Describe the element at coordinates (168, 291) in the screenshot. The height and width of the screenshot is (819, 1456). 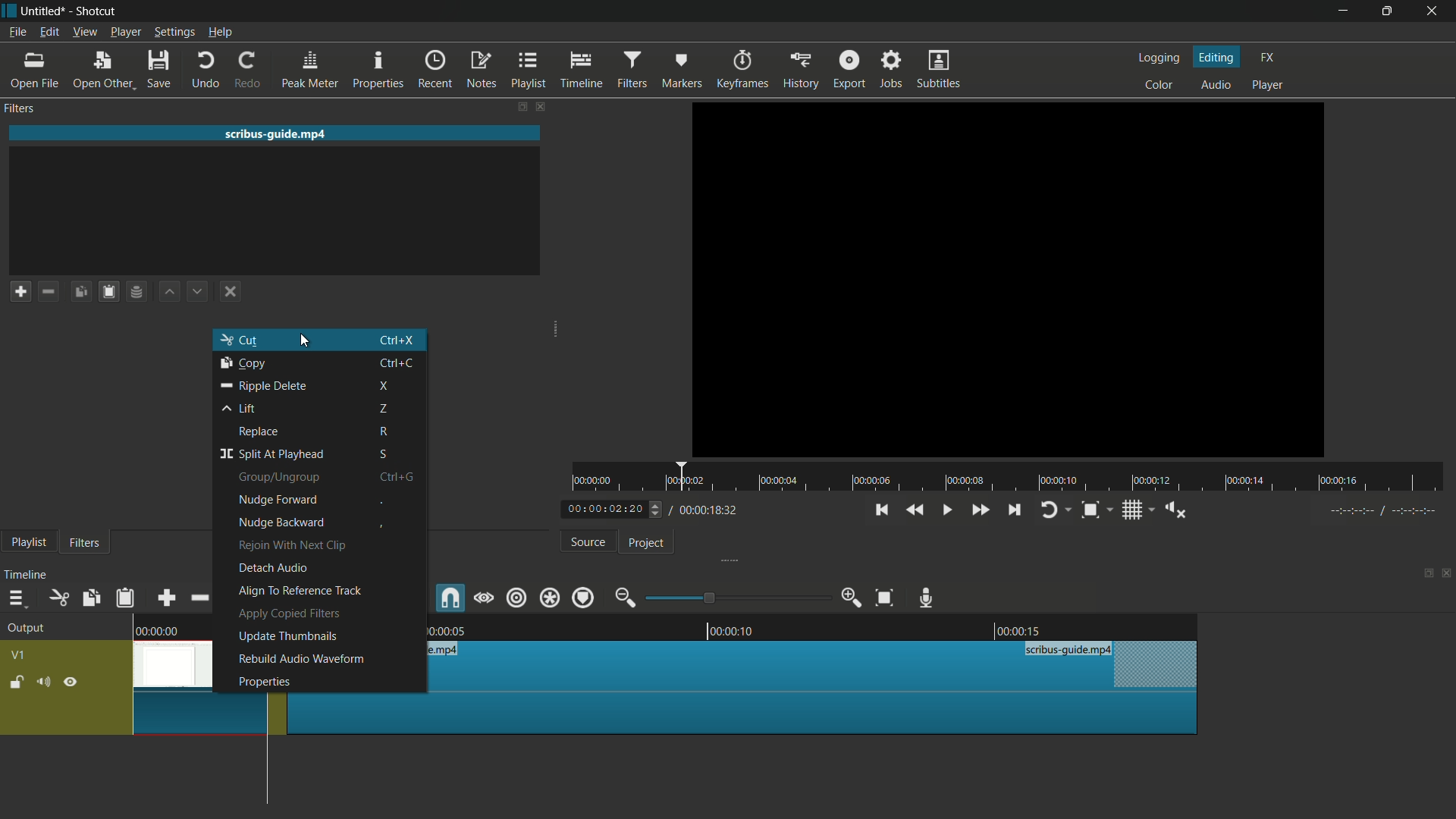
I see `move filter up` at that location.